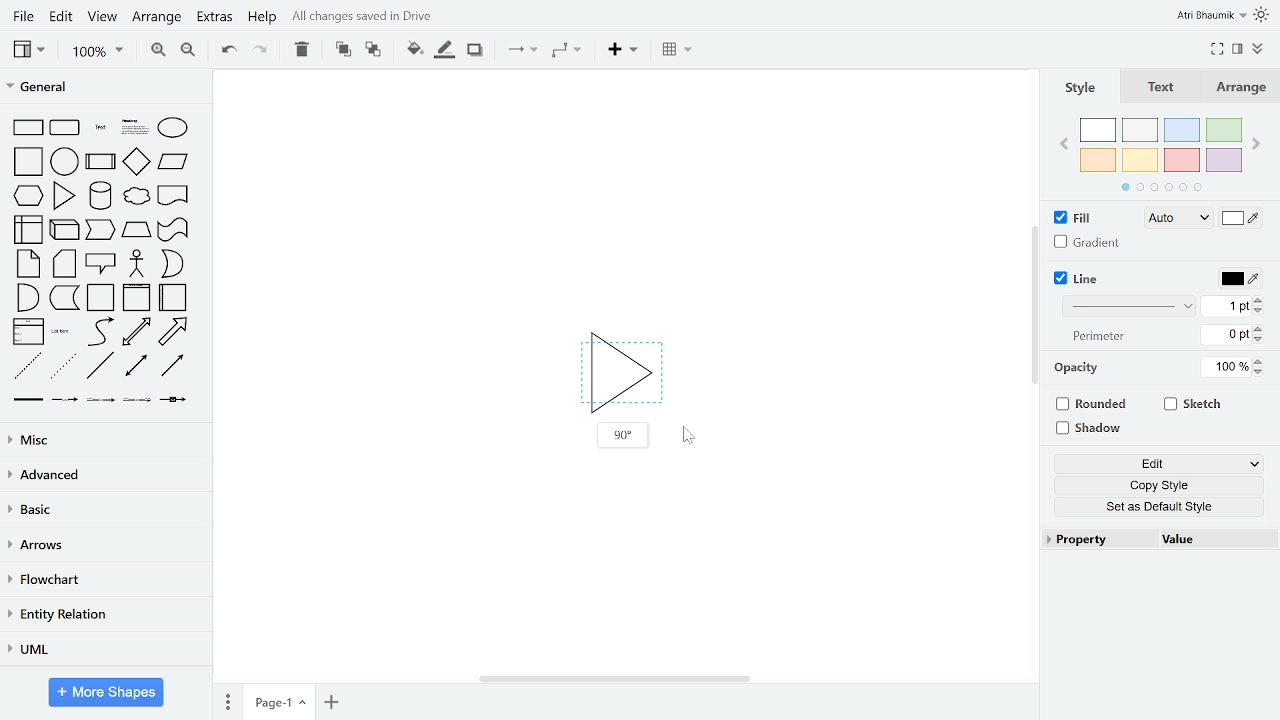 The height and width of the screenshot is (720, 1280). I want to click on fill color, so click(412, 48).